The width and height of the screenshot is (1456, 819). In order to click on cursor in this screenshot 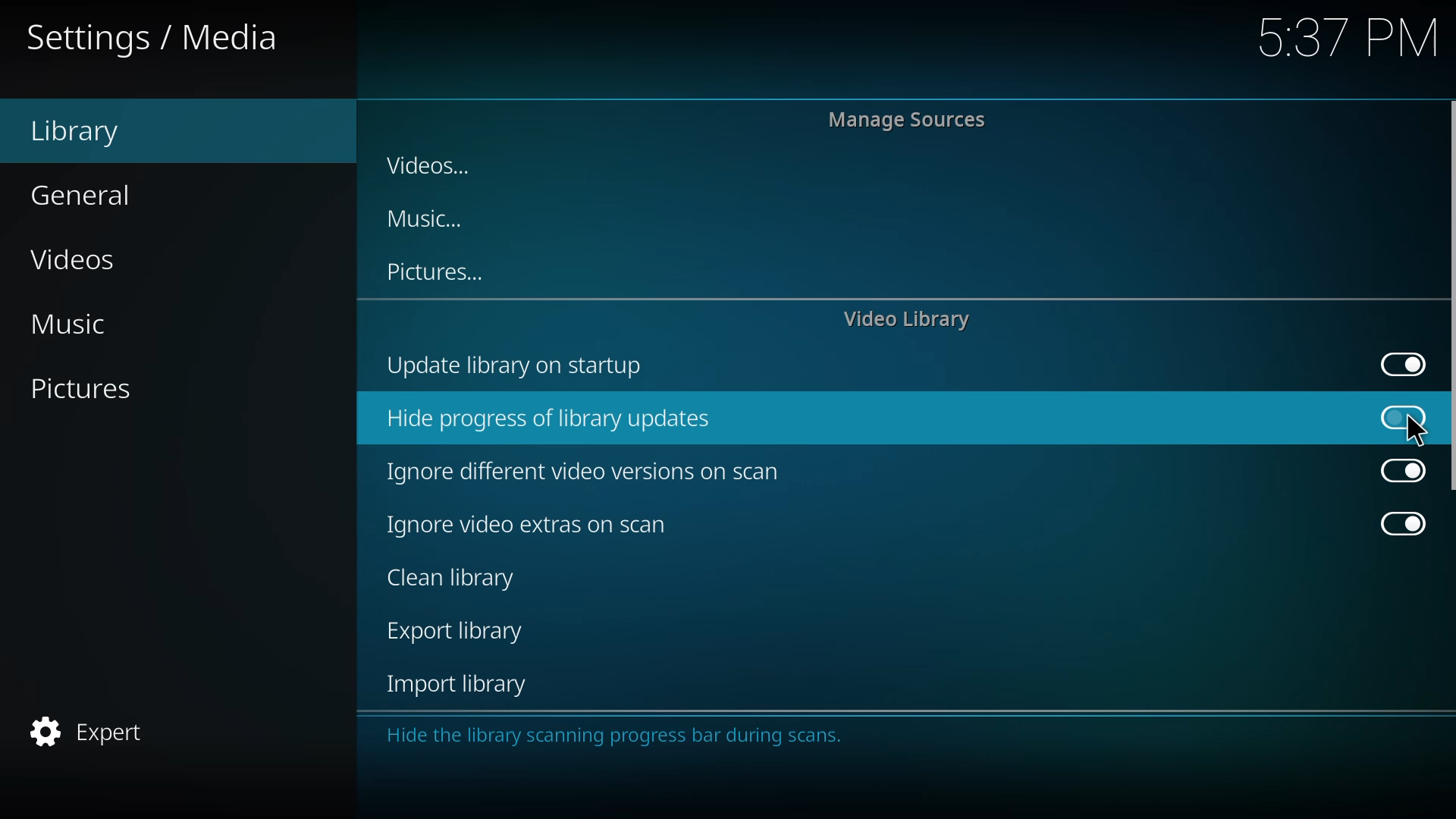, I will do `click(1404, 419)`.